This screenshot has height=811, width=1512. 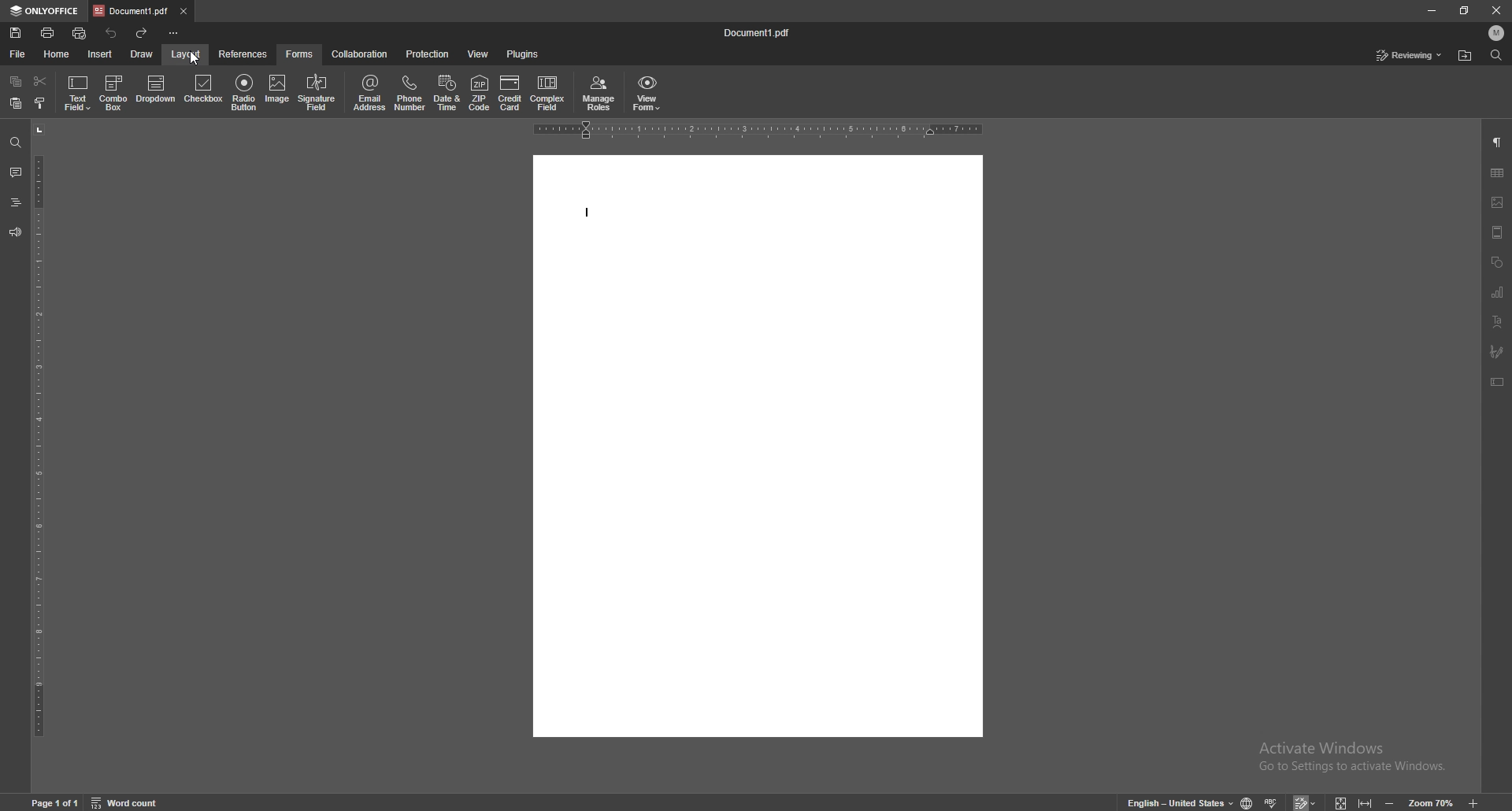 I want to click on minimize, so click(x=1431, y=9).